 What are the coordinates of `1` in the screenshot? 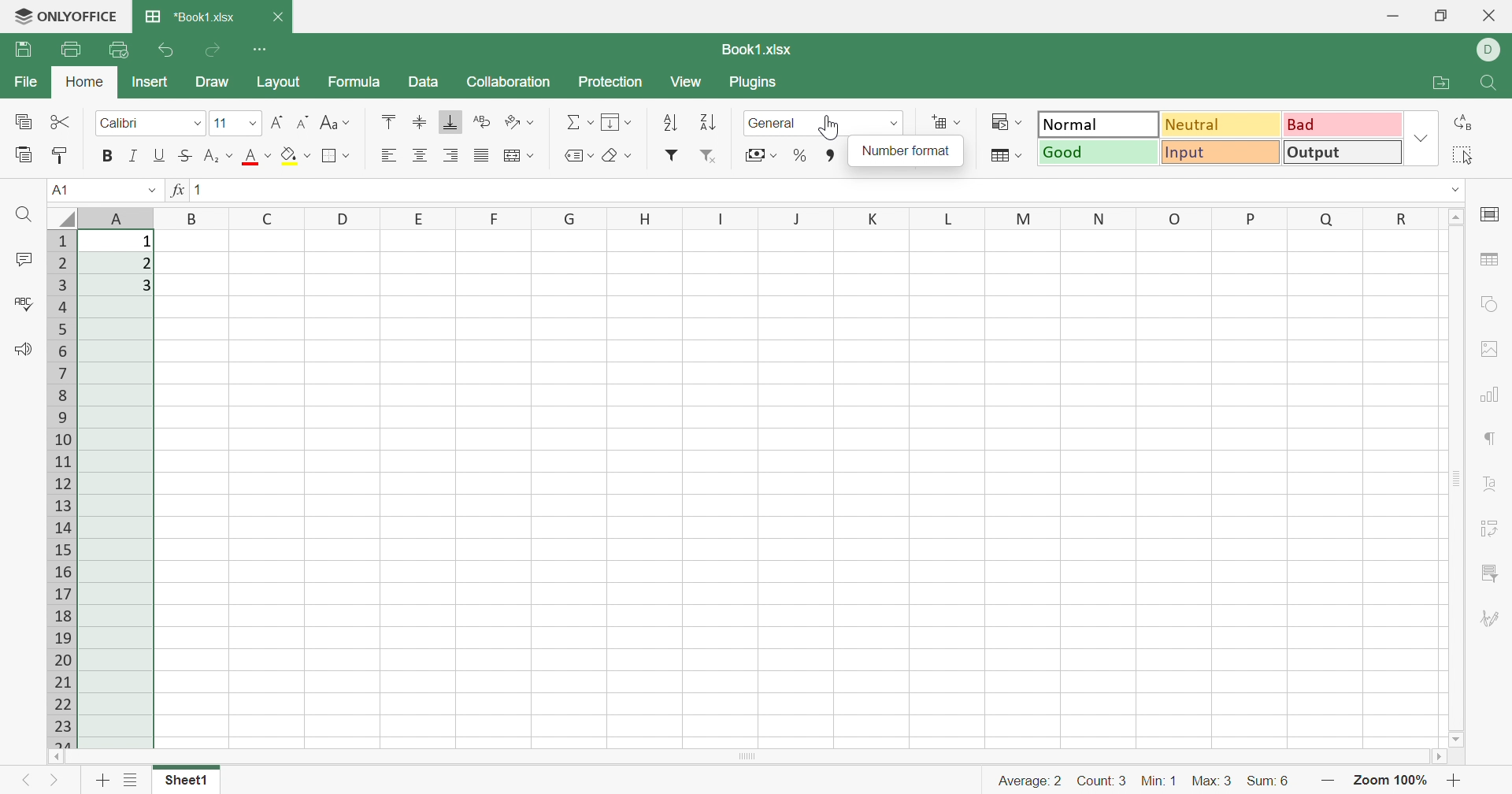 It's located at (204, 191).